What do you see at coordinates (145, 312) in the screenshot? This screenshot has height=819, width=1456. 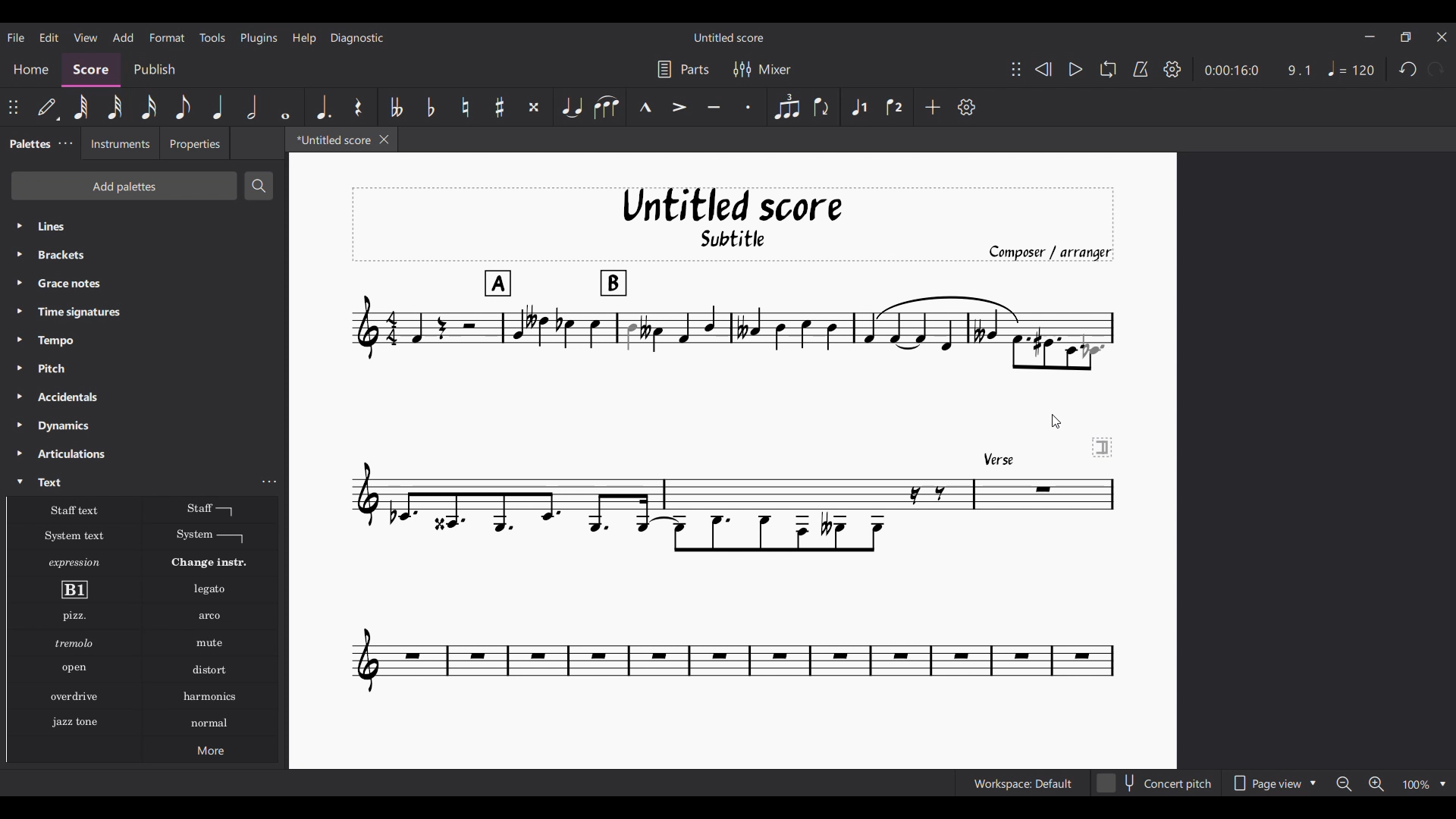 I see `Time signatures` at bounding box center [145, 312].